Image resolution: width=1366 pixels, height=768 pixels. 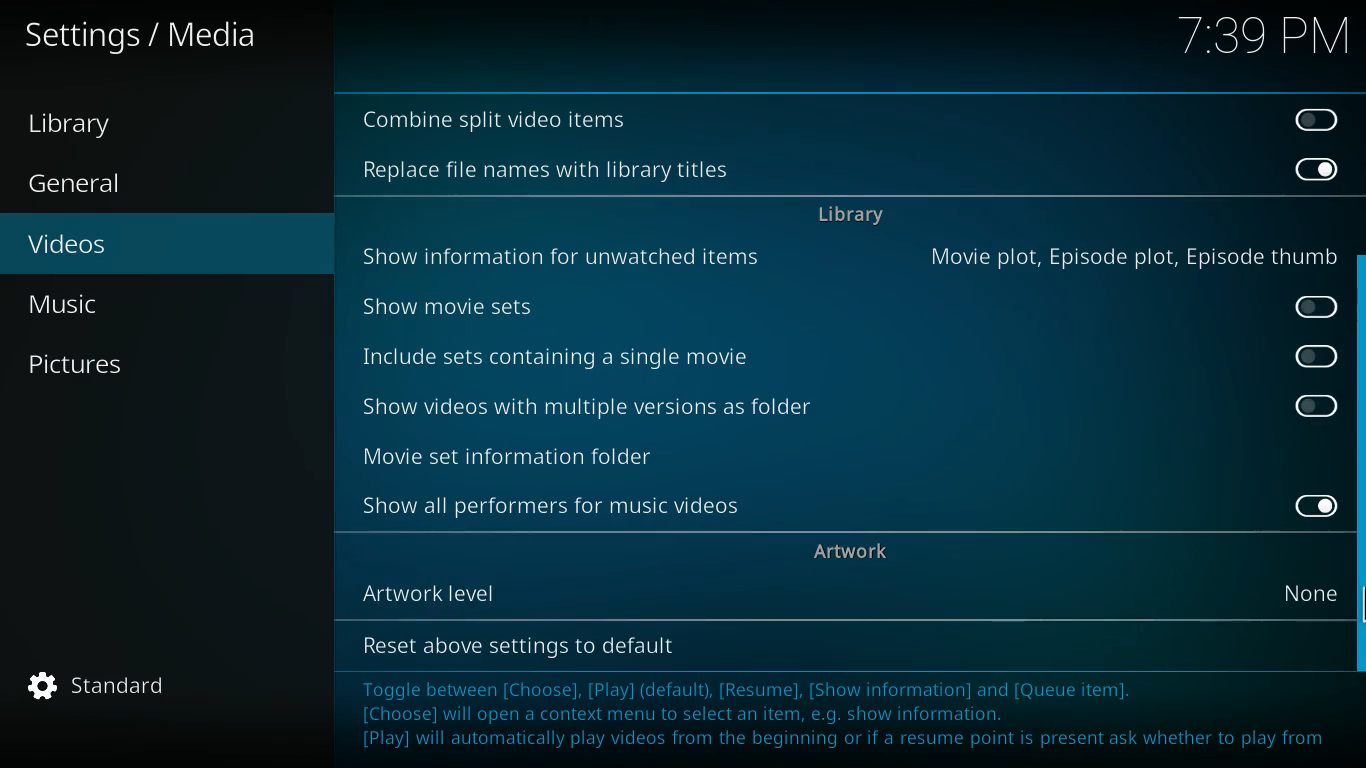 What do you see at coordinates (559, 508) in the screenshot?
I see `show all performers` at bounding box center [559, 508].